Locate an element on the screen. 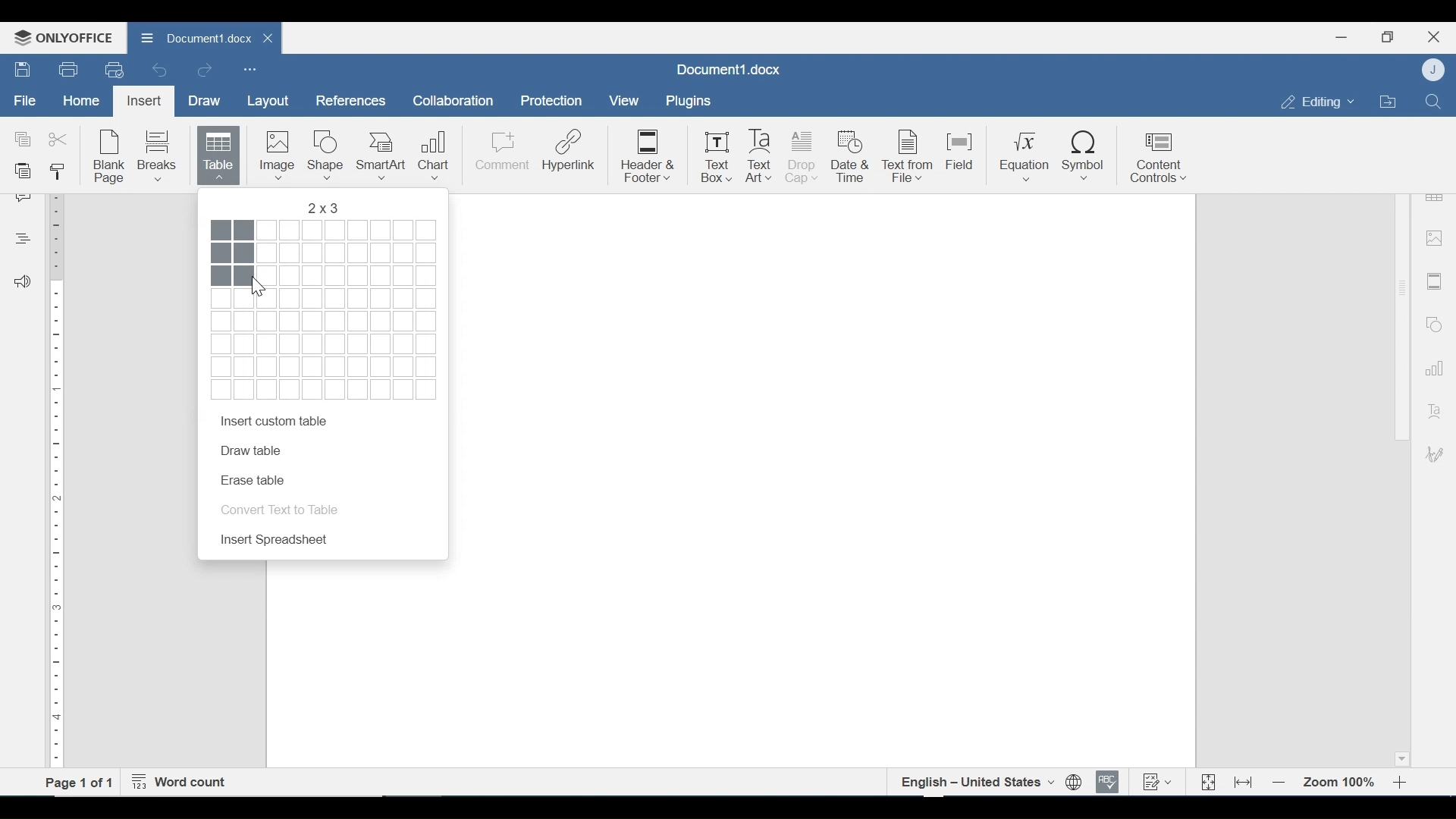 This screenshot has height=819, width=1456. Text Art is located at coordinates (761, 157).